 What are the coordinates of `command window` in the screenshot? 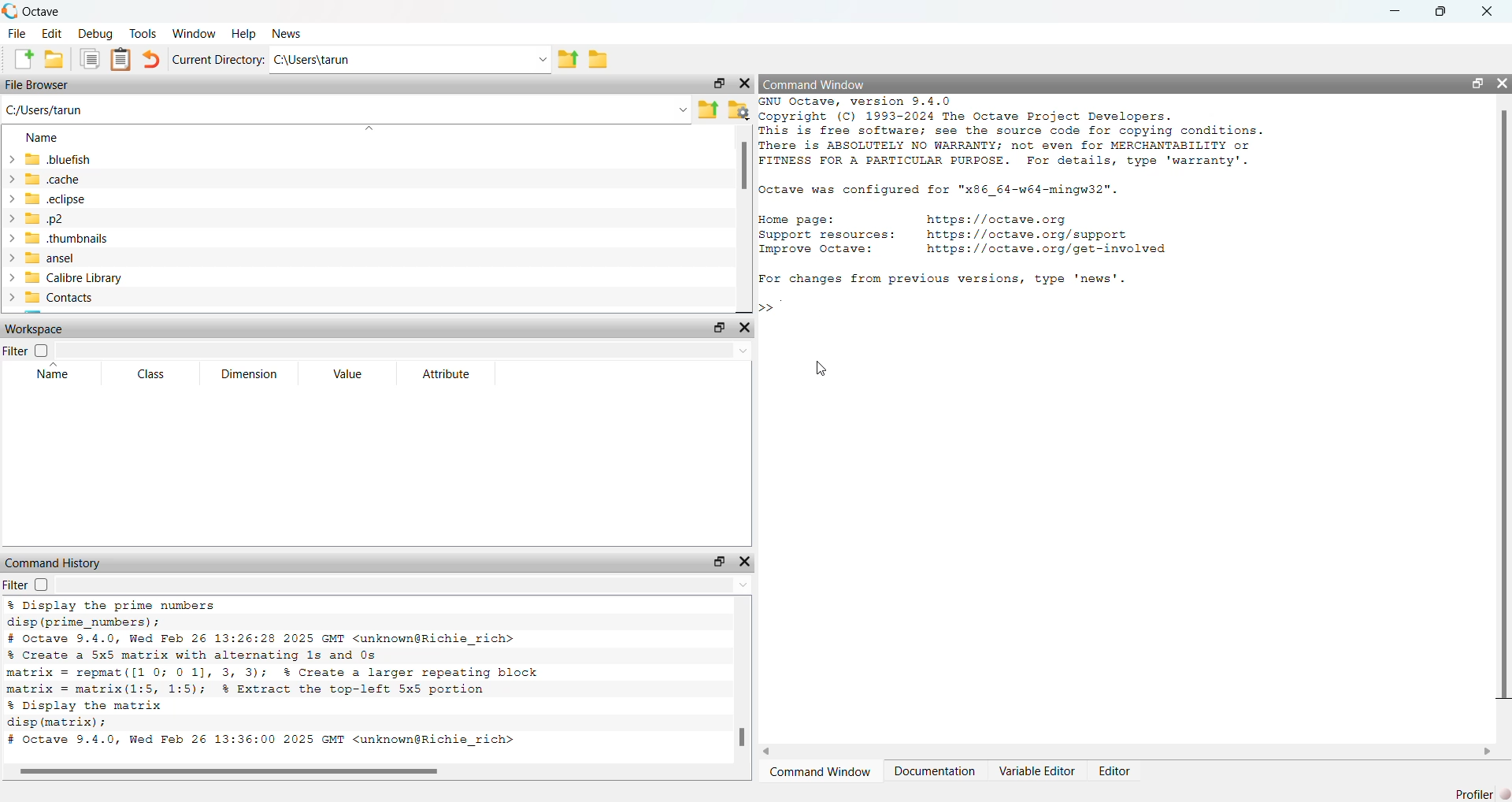 It's located at (820, 772).